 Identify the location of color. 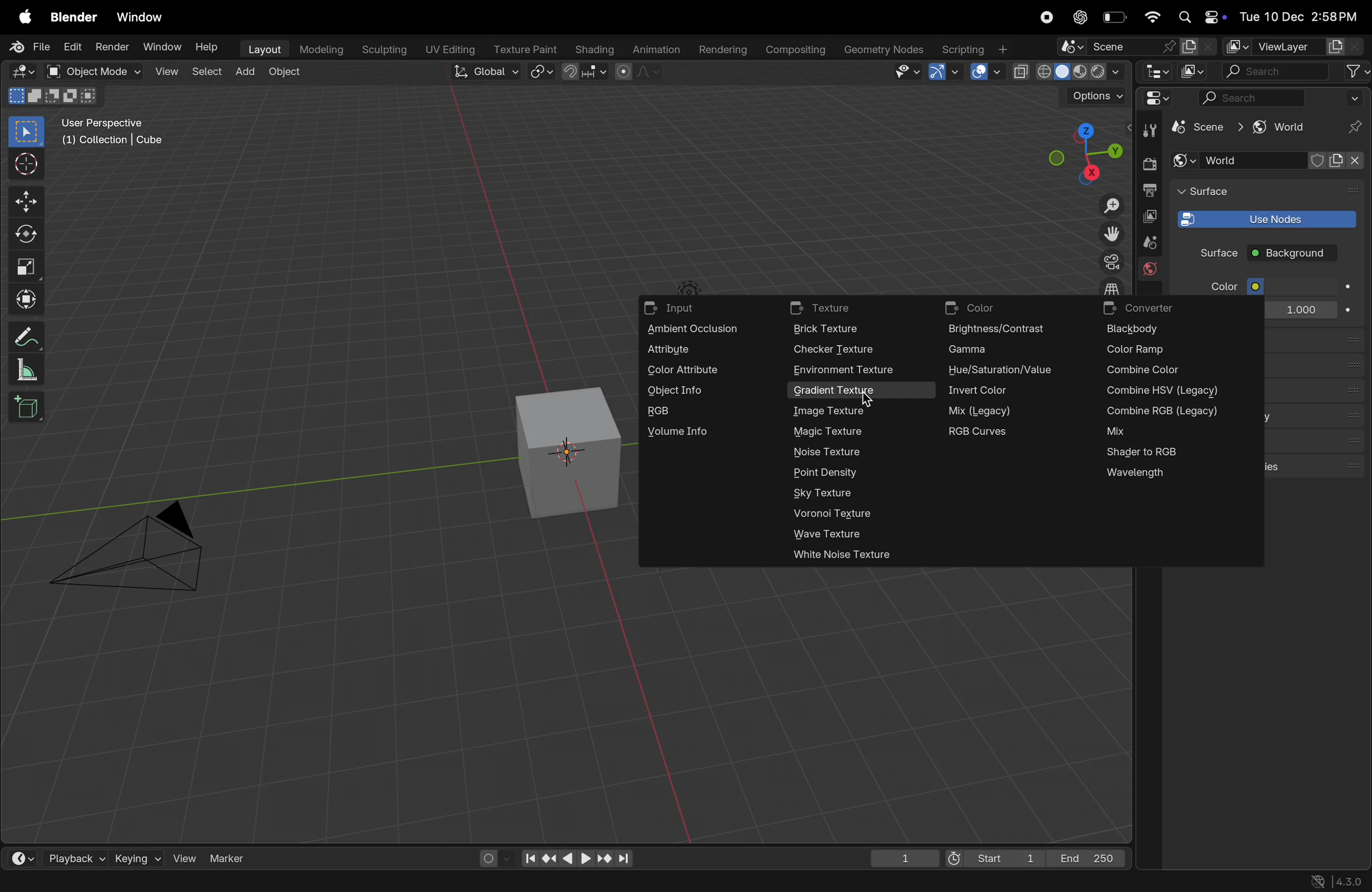
(983, 308).